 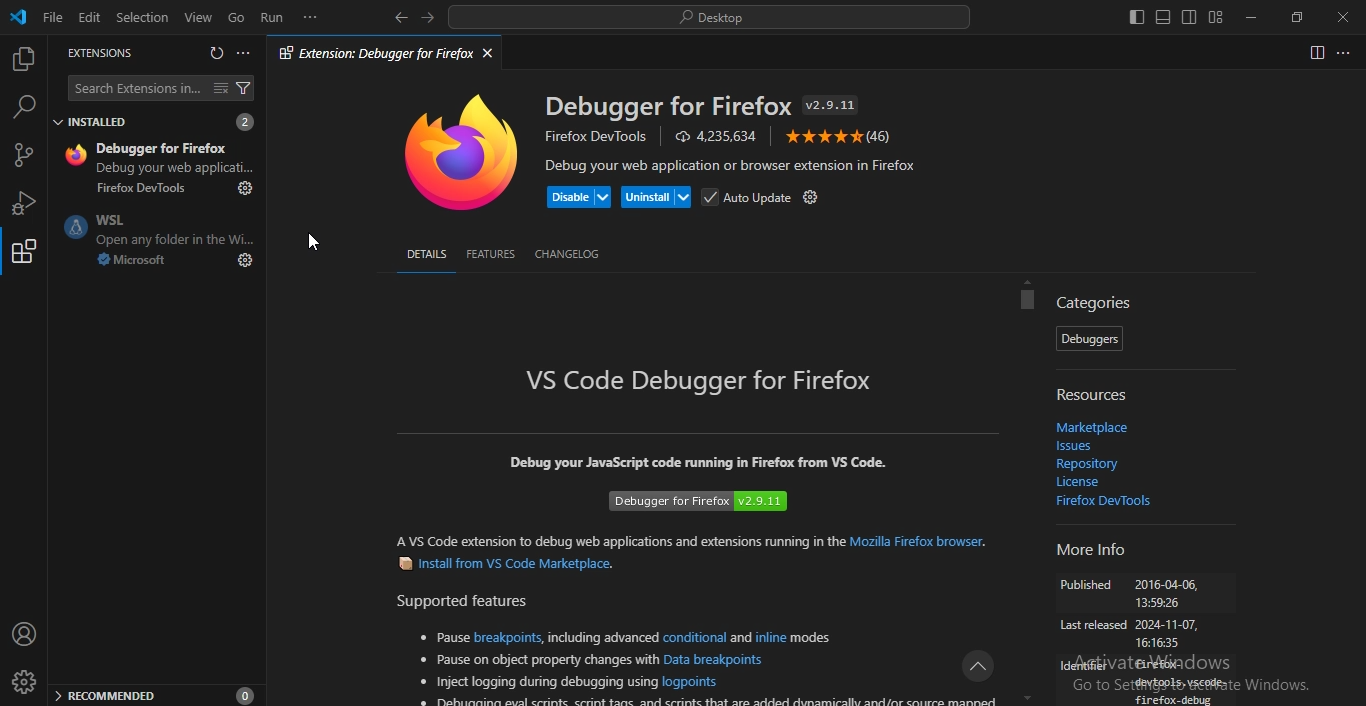 I want to click on changelog, so click(x=569, y=257).